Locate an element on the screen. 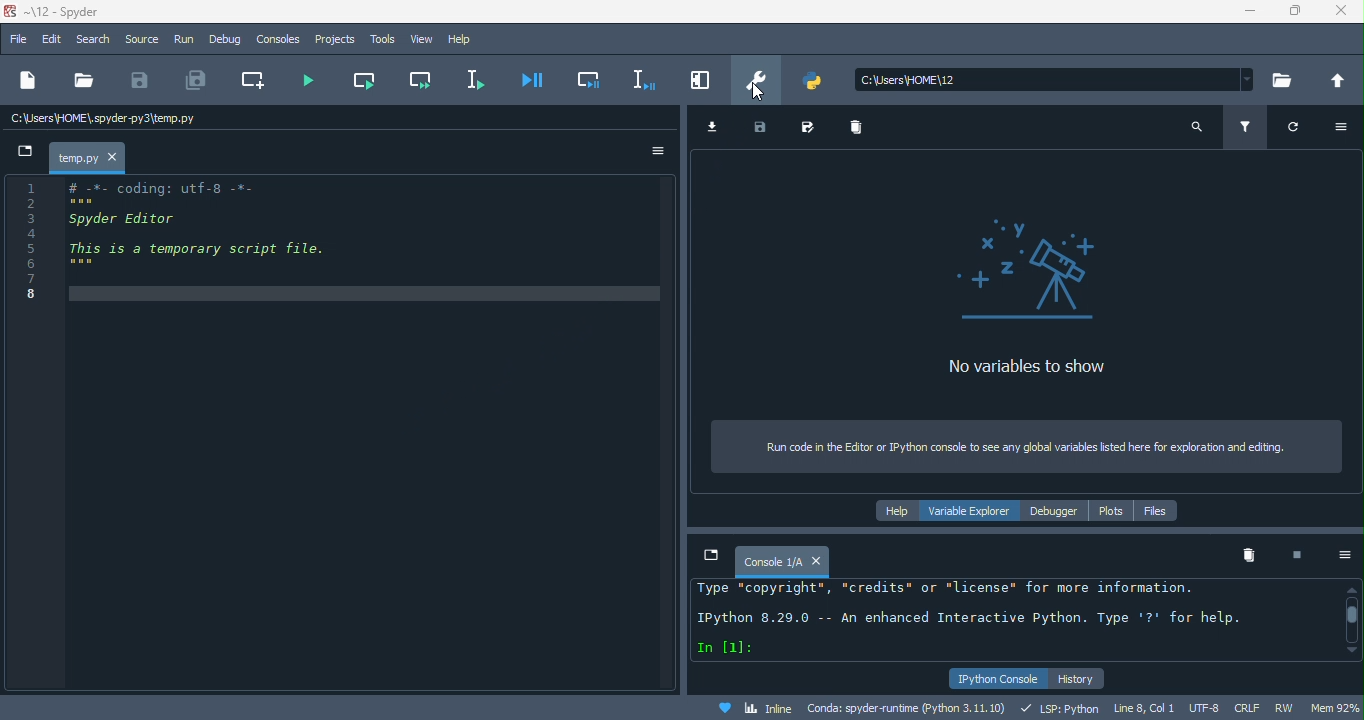  mem 92% is located at coordinates (1335, 706).